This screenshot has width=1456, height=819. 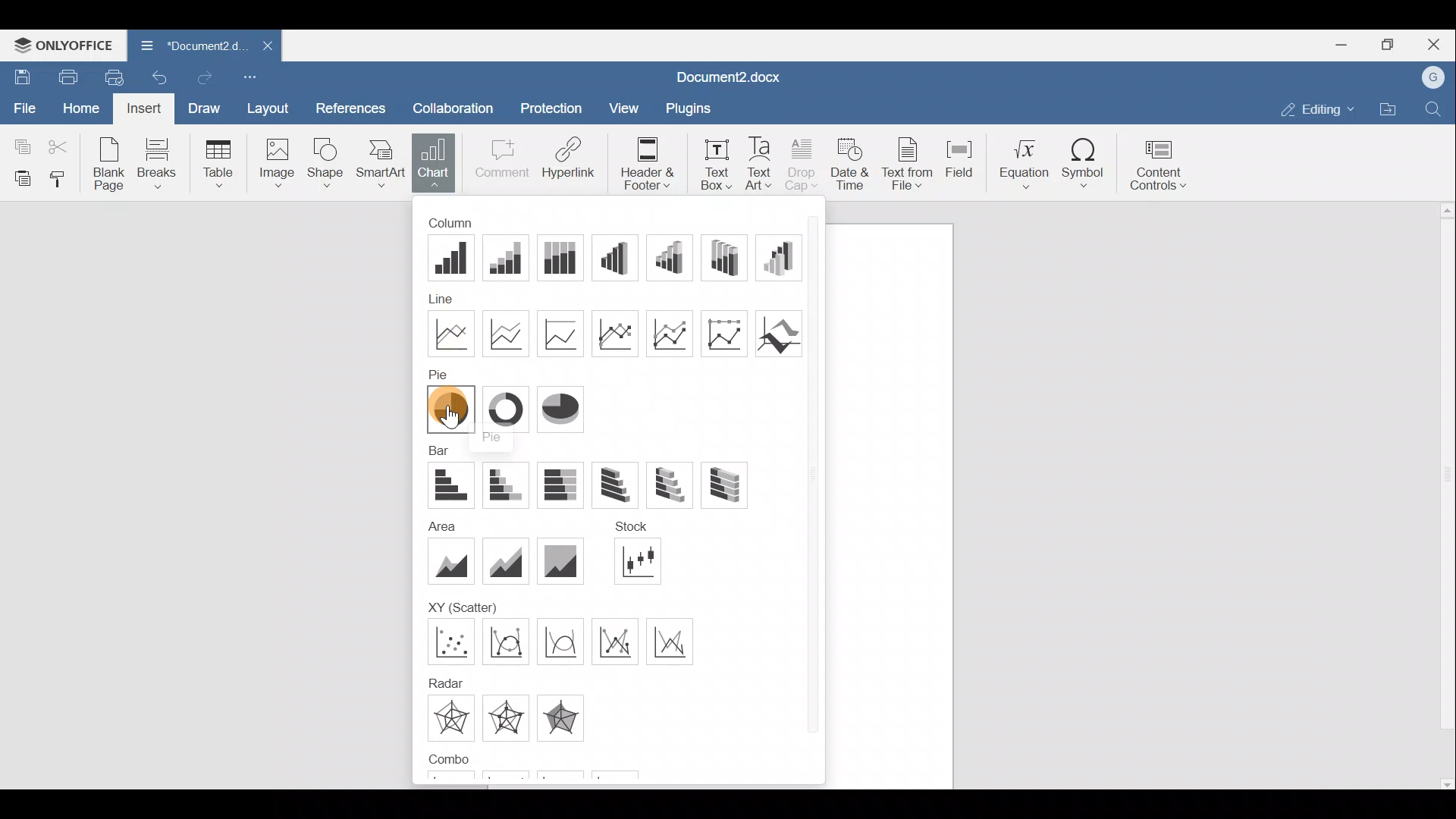 What do you see at coordinates (1438, 43) in the screenshot?
I see `Close` at bounding box center [1438, 43].